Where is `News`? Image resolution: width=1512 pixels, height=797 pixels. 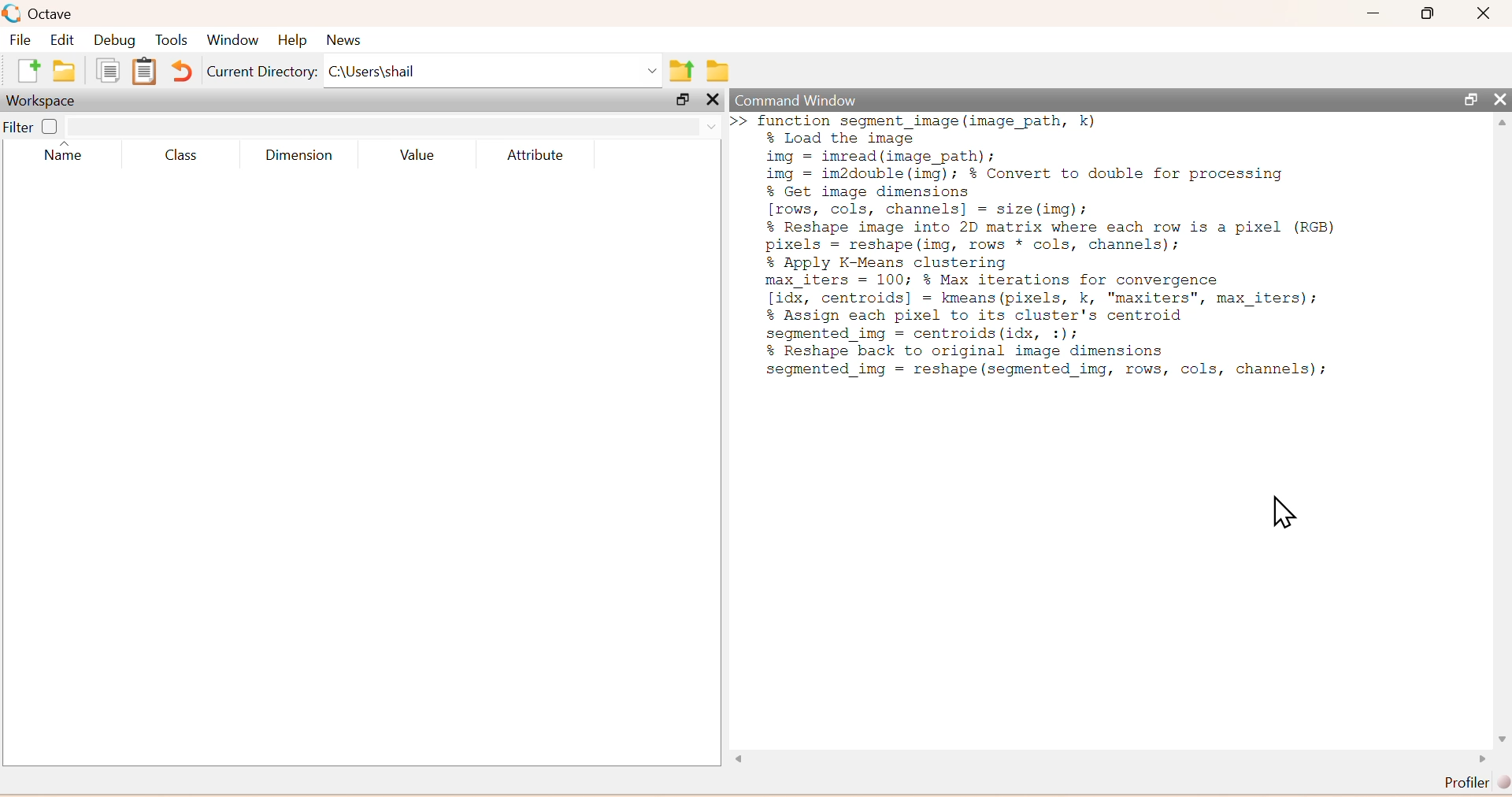
News is located at coordinates (342, 42).